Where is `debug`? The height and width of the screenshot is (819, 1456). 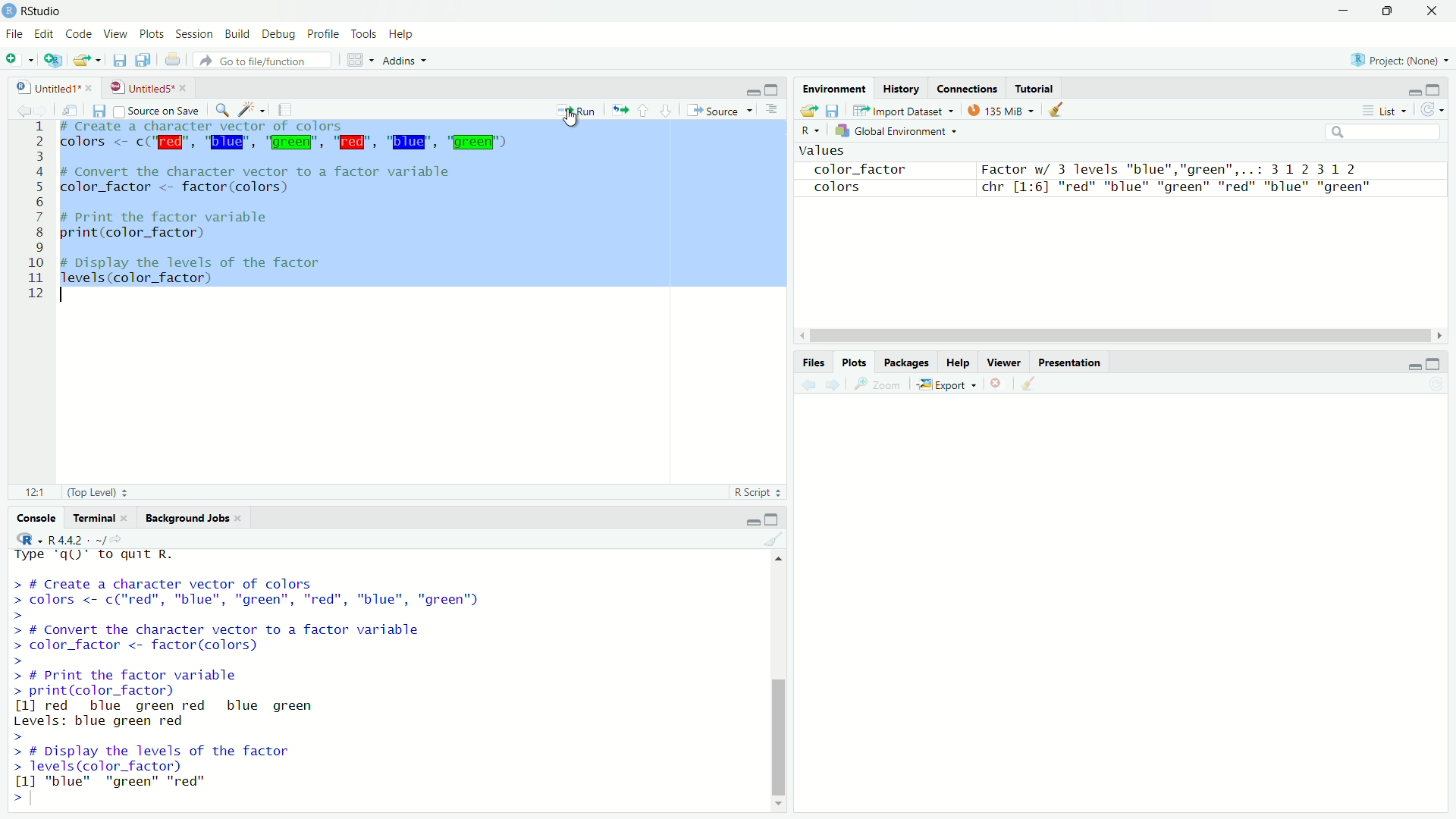 debug is located at coordinates (278, 34).